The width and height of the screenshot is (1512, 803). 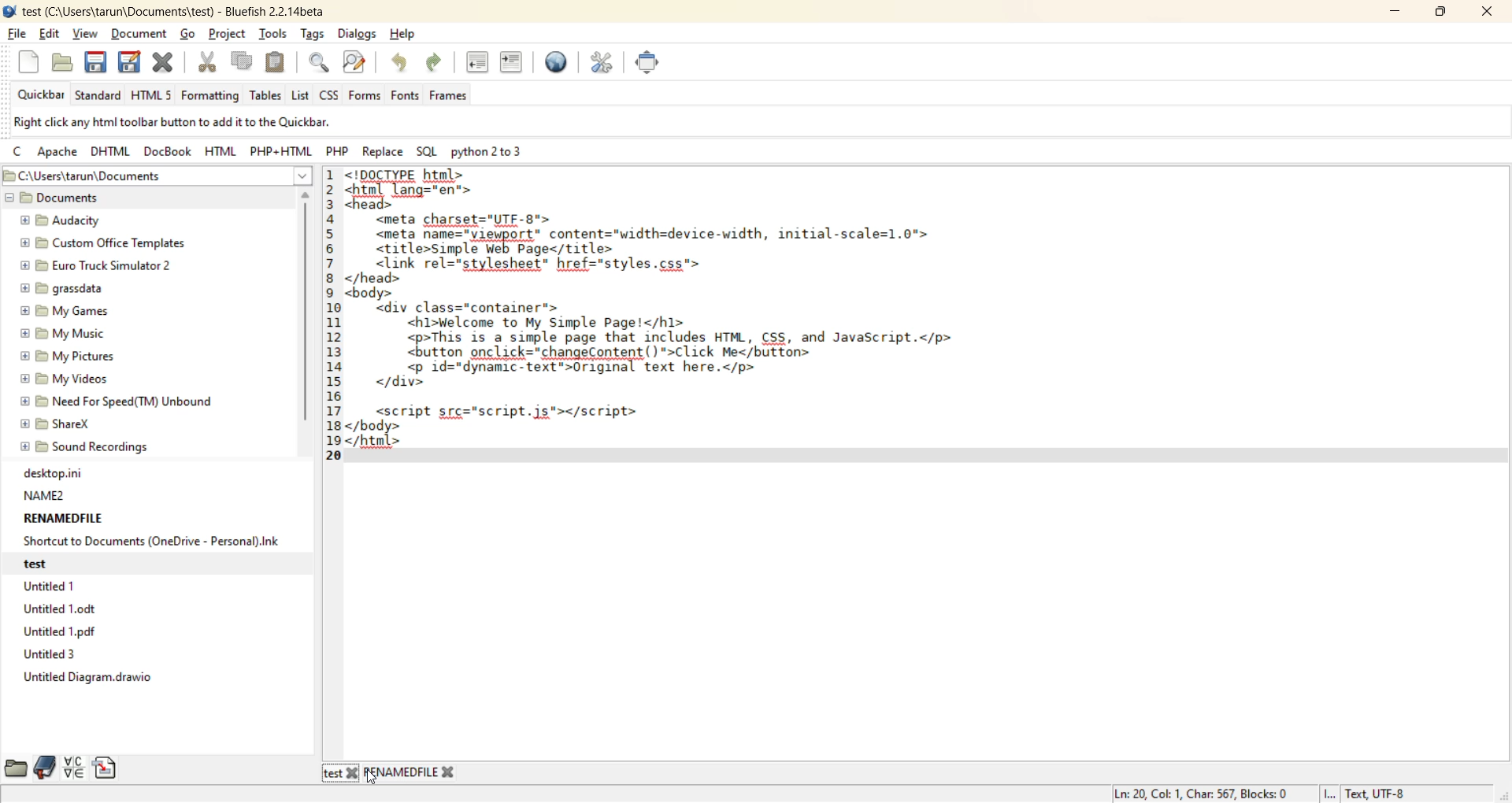 What do you see at coordinates (304, 176) in the screenshot?
I see `show more` at bounding box center [304, 176].